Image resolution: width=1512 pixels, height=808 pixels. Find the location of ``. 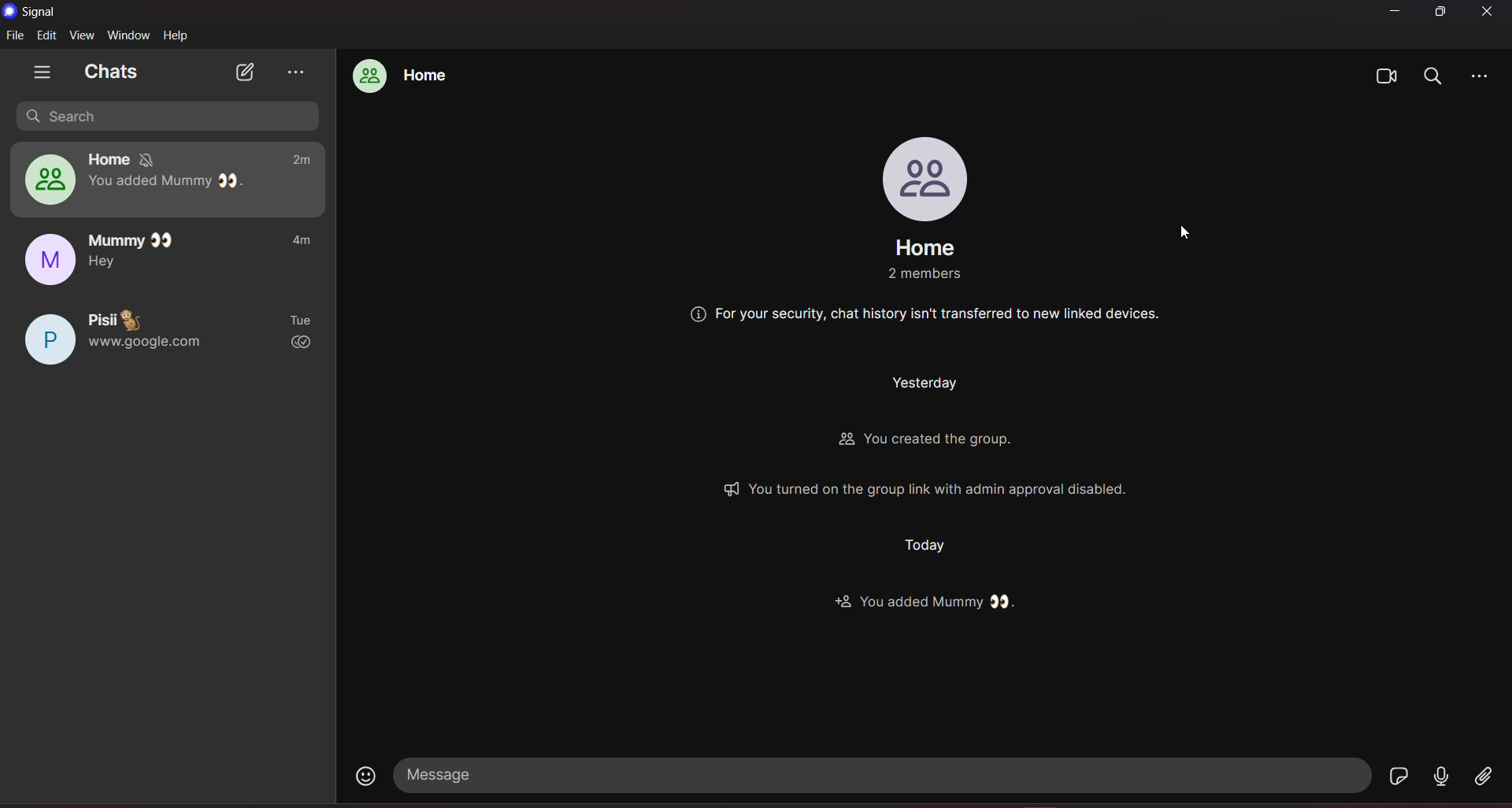

 is located at coordinates (925, 547).